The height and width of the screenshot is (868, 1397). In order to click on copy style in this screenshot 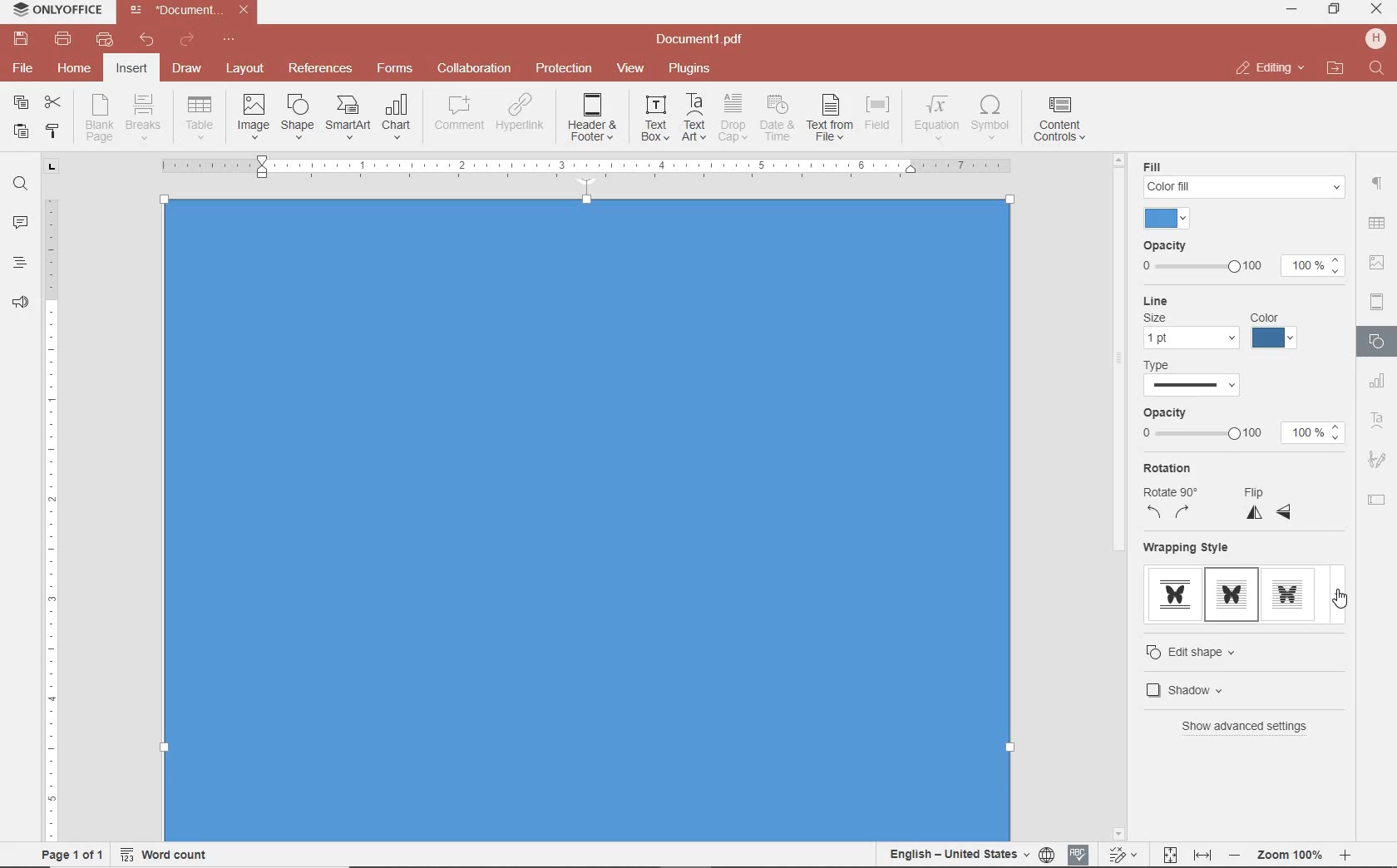, I will do `click(51, 130)`.